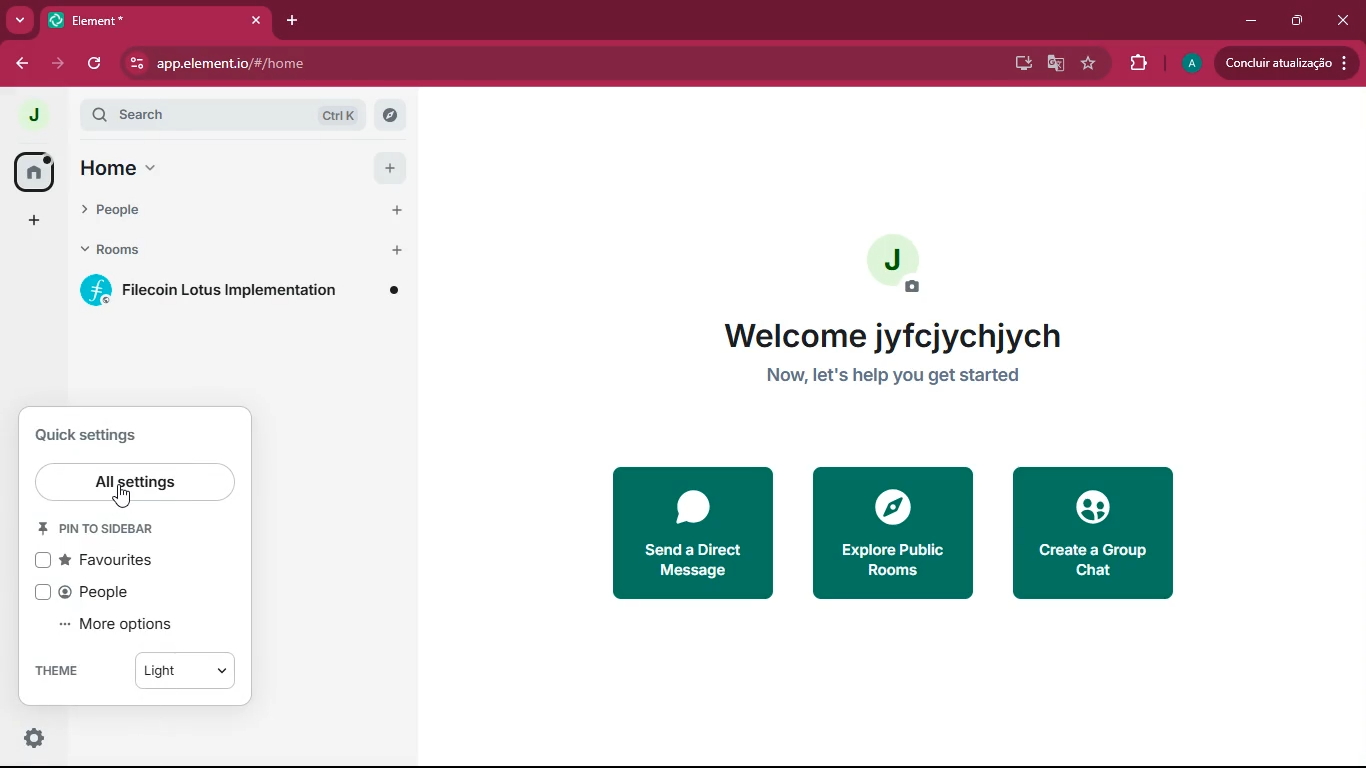 This screenshot has width=1366, height=768. What do you see at coordinates (1097, 535) in the screenshot?
I see `create a group chat` at bounding box center [1097, 535].